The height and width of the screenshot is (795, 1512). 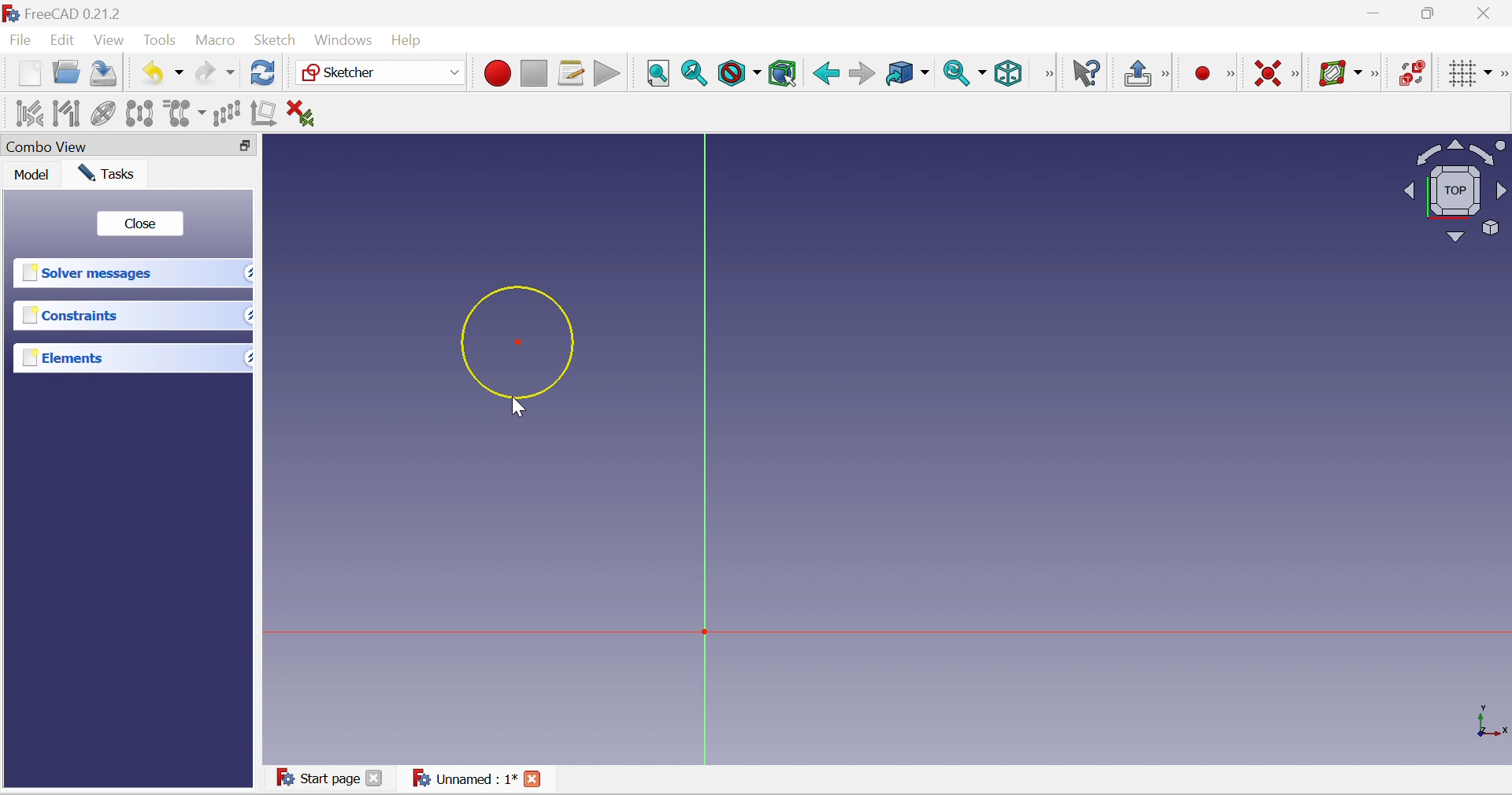 What do you see at coordinates (248, 146) in the screenshot?
I see `Restore down` at bounding box center [248, 146].